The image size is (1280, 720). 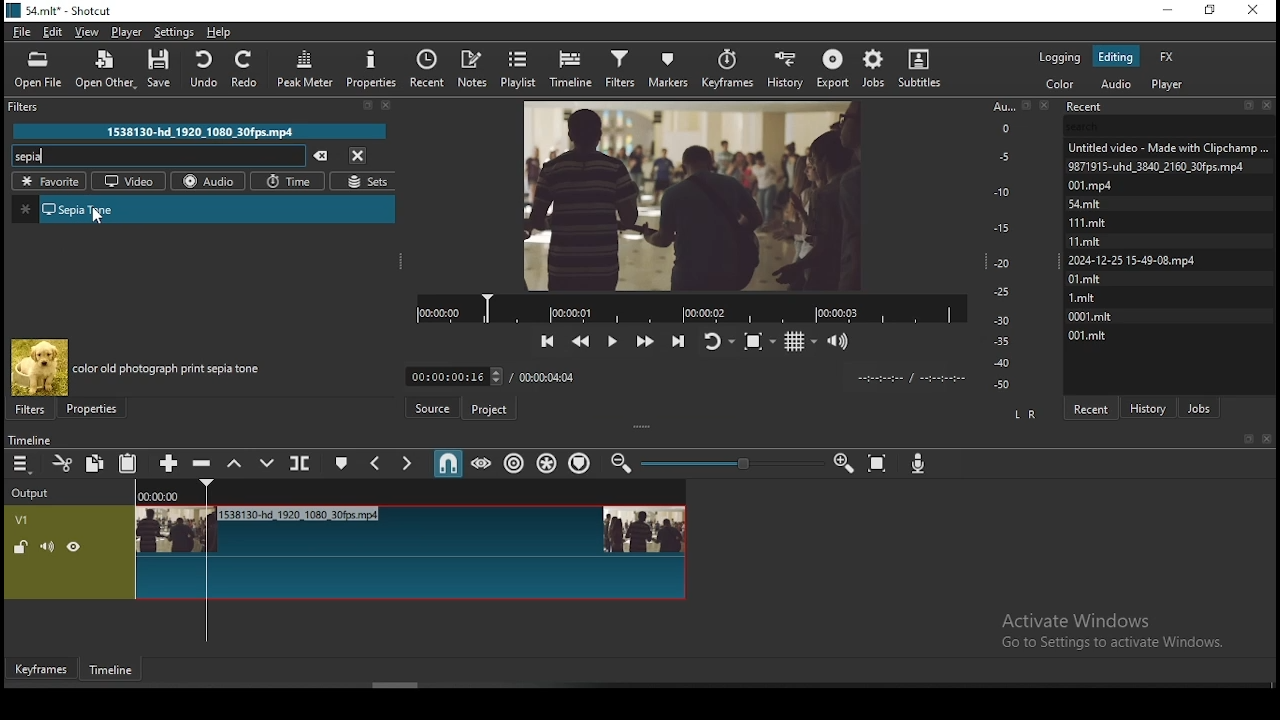 I want to click on Untitled video - Made with Clipchamp..., so click(x=1172, y=147).